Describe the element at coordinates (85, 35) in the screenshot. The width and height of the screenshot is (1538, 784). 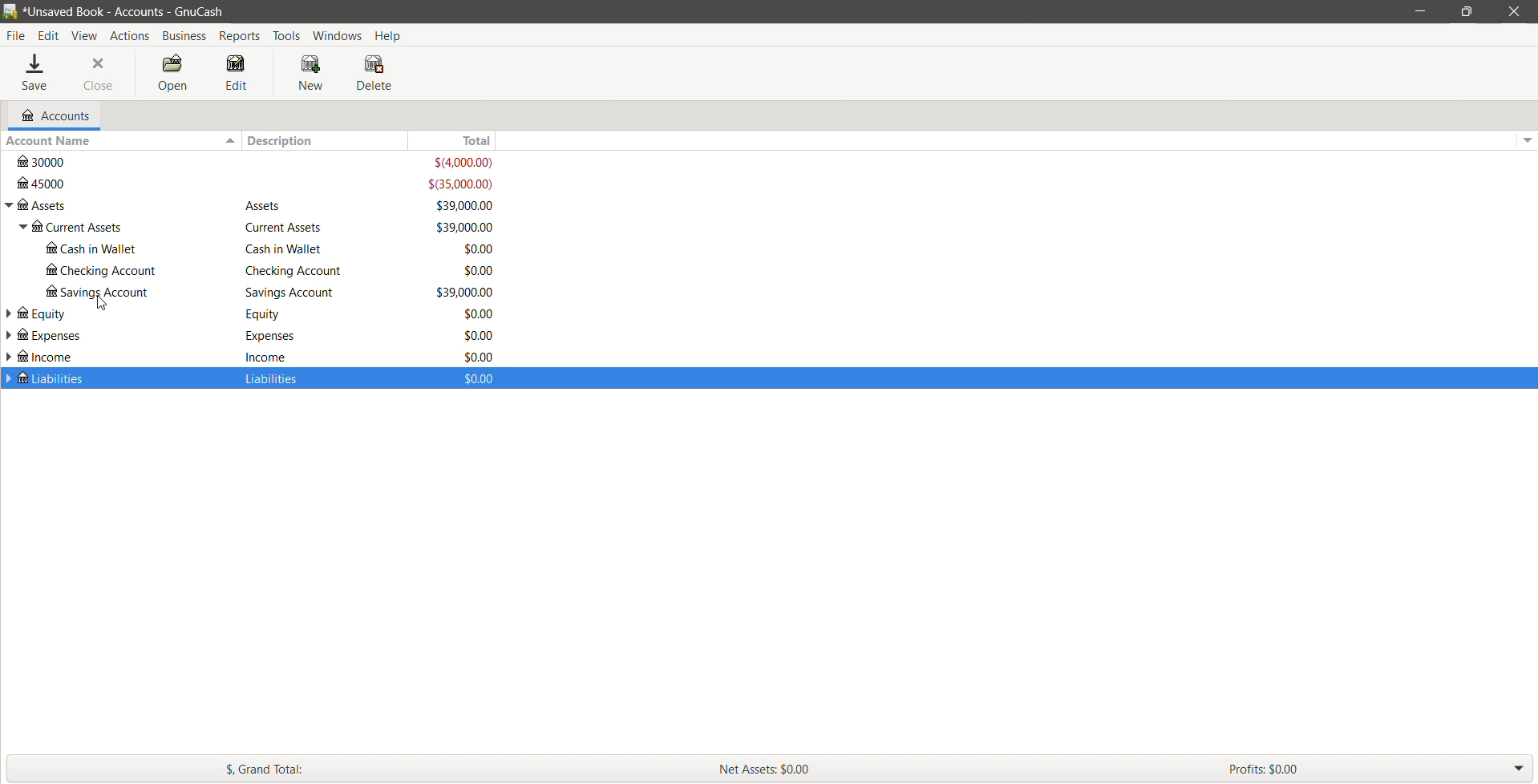
I see `View` at that location.